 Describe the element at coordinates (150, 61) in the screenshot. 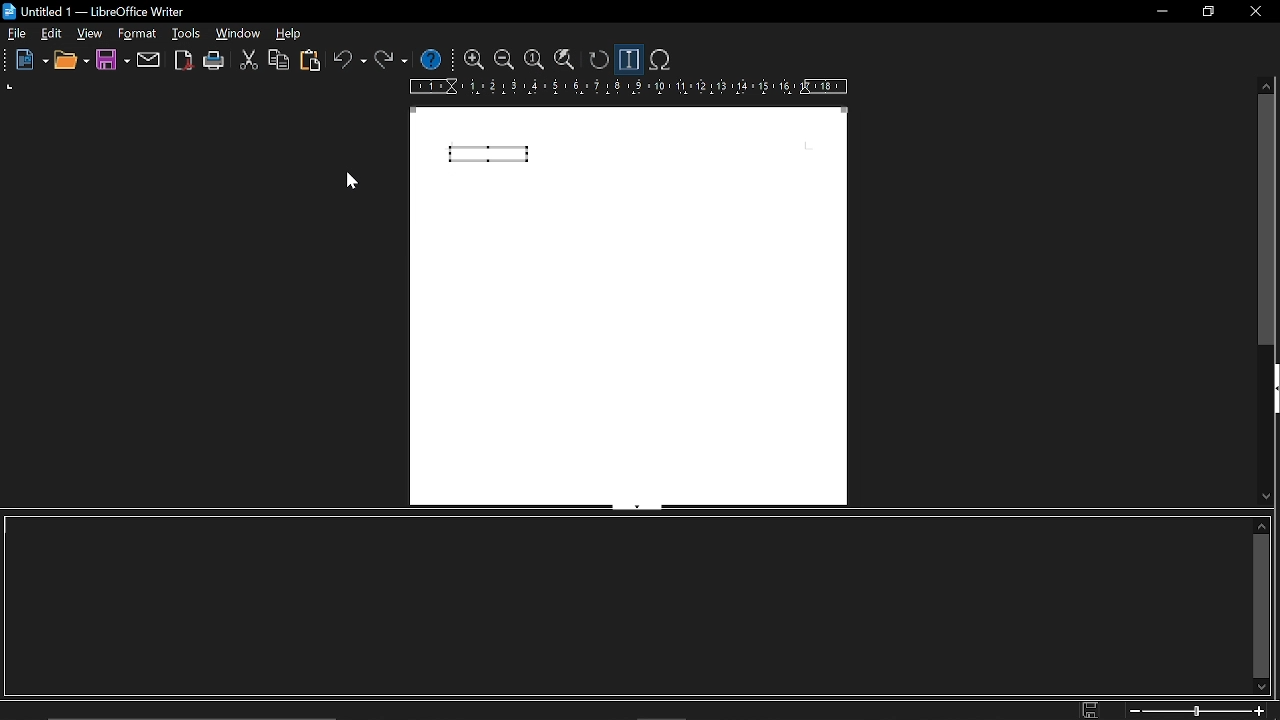

I see `attach` at that location.